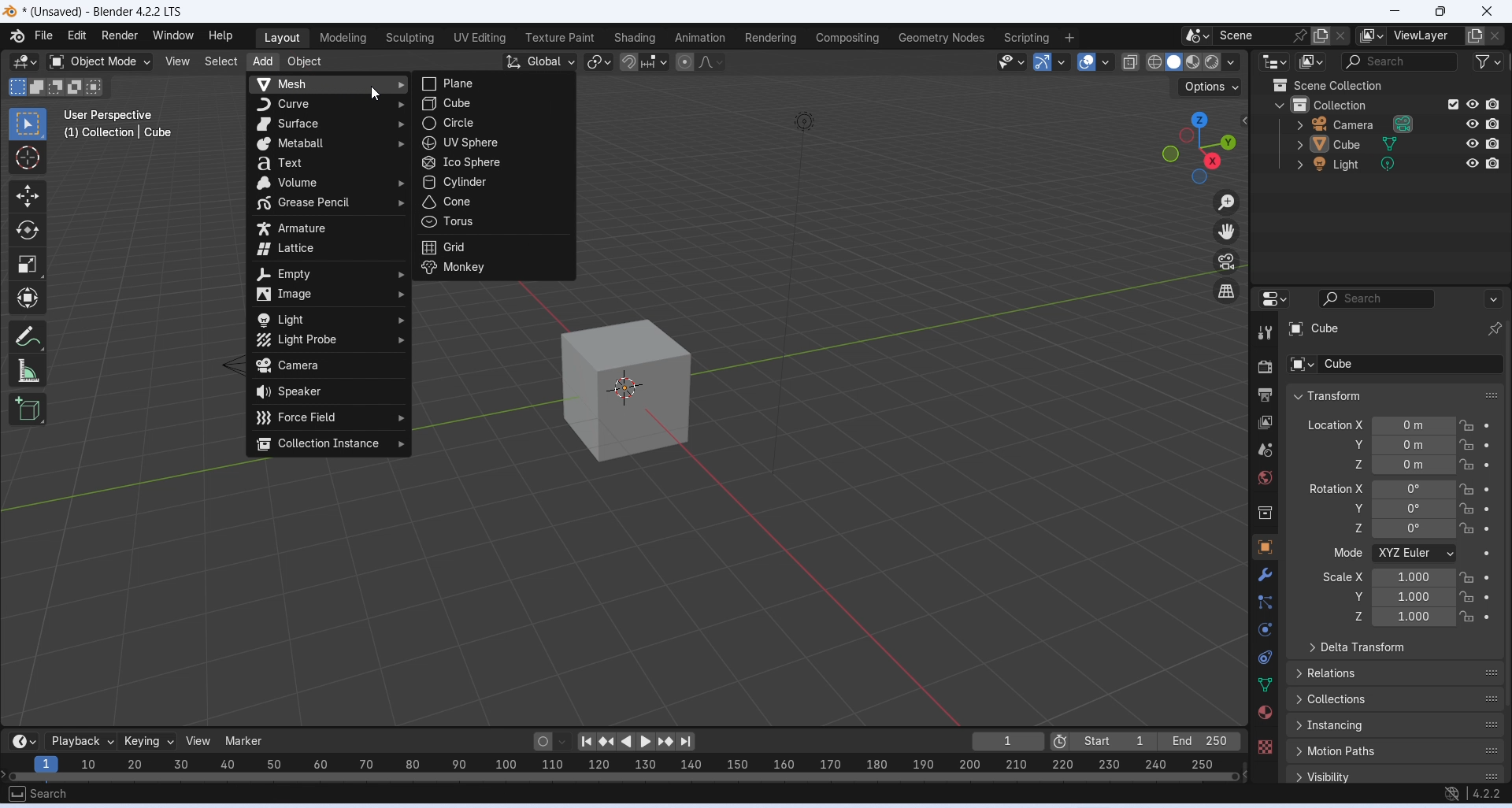 The image size is (1512, 808). What do you see at coordinates (540, 62) in the screenshot?
I see `transform orientation` at bounding box center [540, 62].